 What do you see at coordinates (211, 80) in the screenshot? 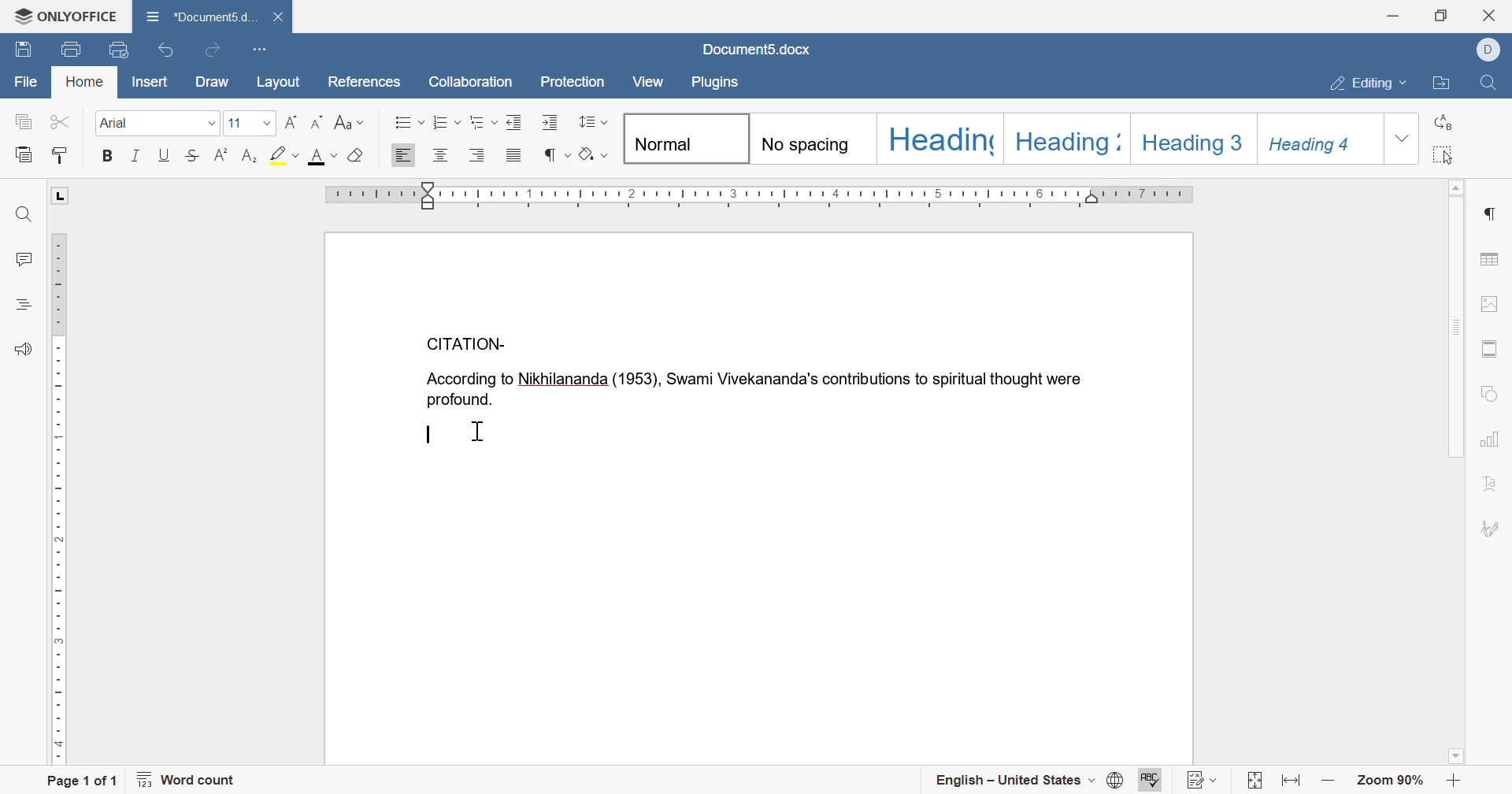
I see `draw` at bounding box center [211, 80].